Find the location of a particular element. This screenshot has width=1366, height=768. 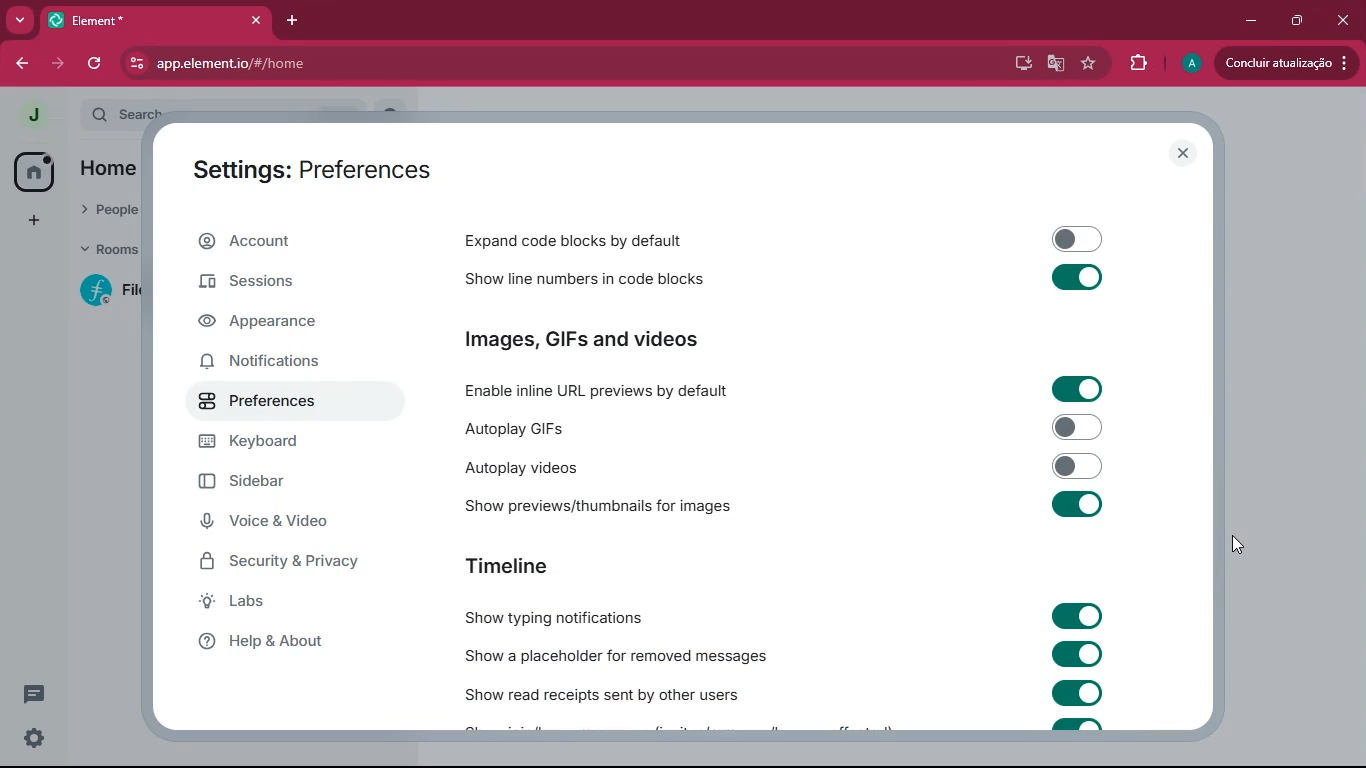

refresh is located at coordinates (94, 65).